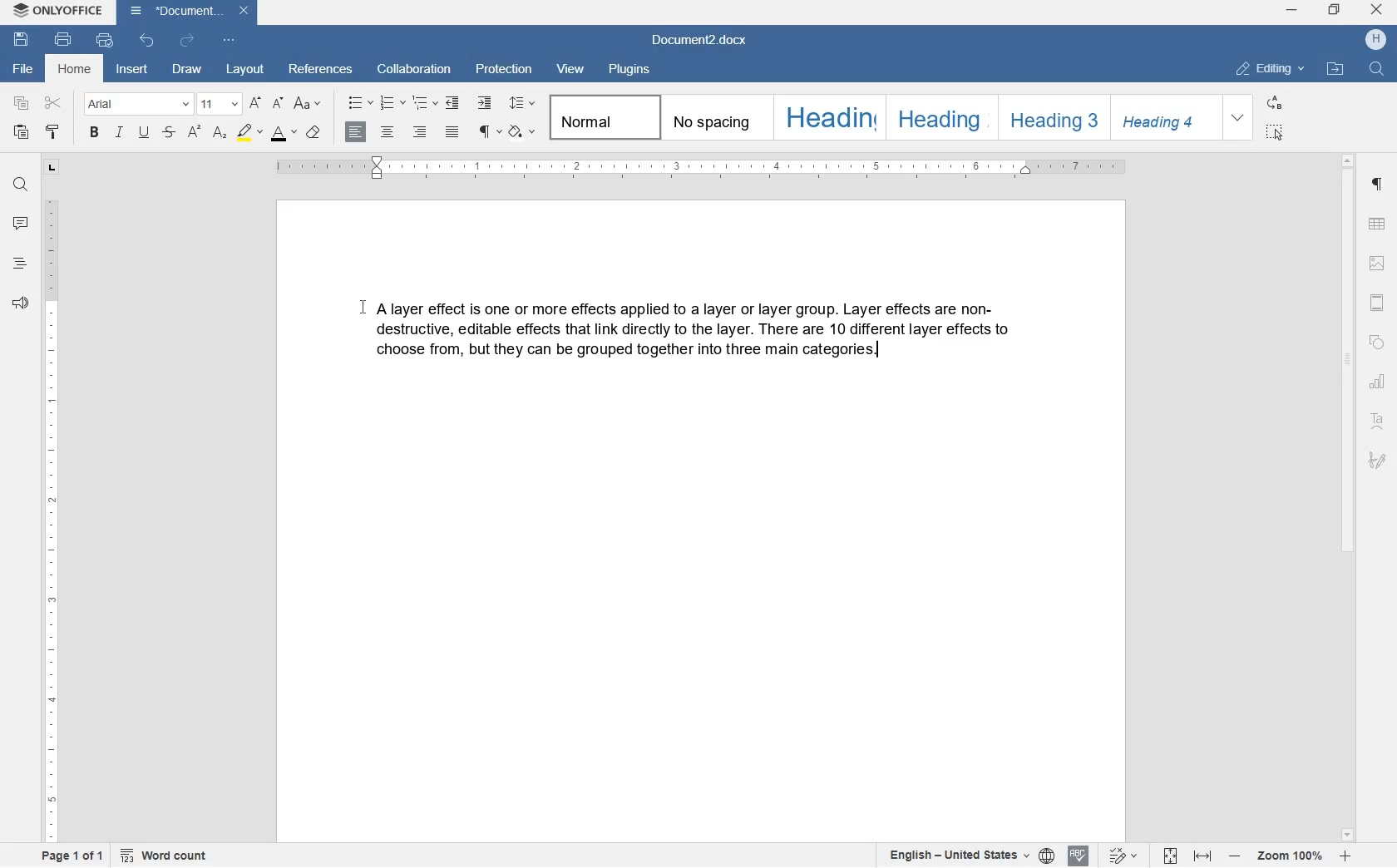  I want to click on word count, so click(164, 856).